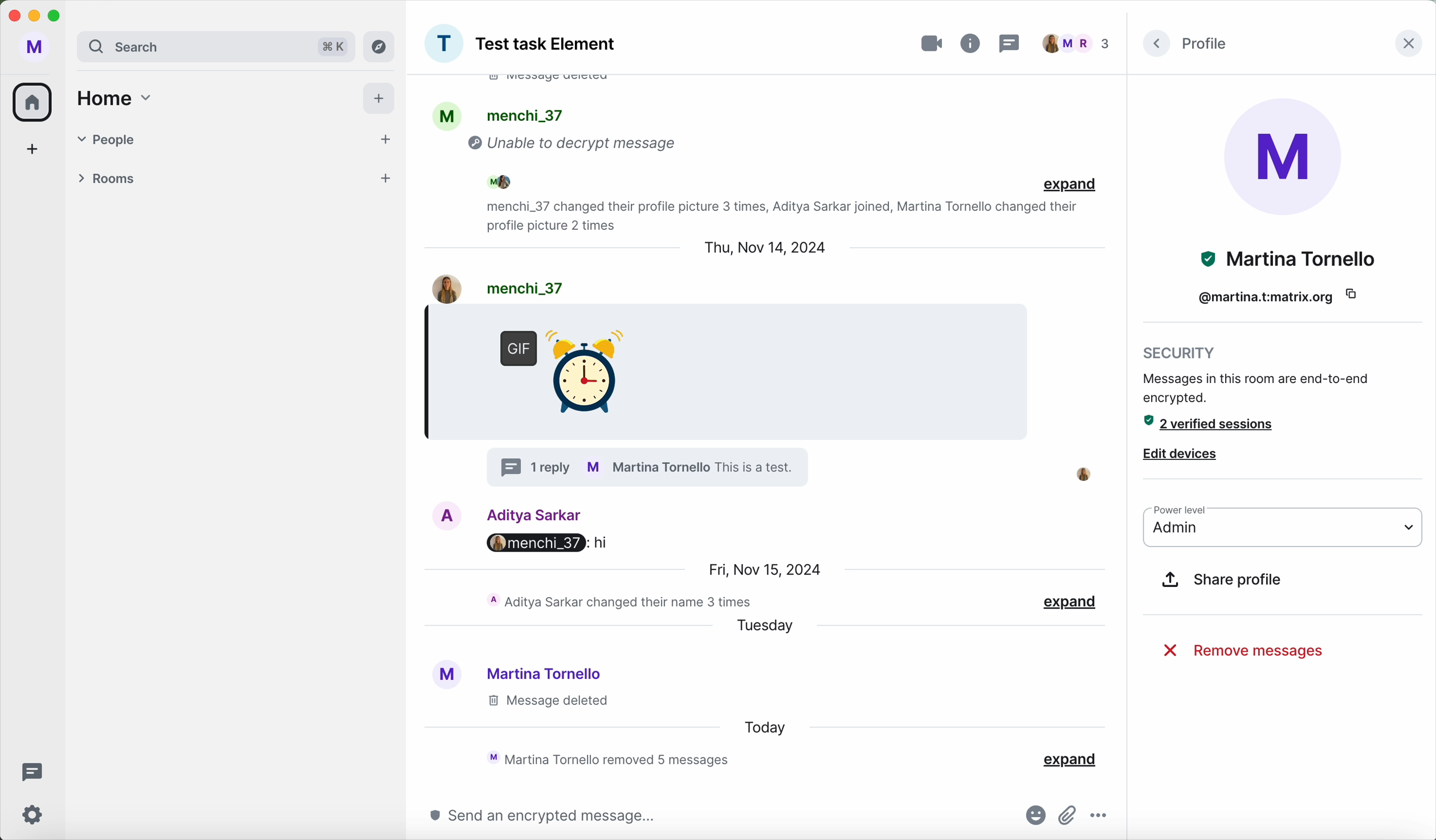 The image size is (1436, 840). What do you see at coordinates (1068, 759) in the screenshot?
I see `expand` at bounding box center [1068, 759].